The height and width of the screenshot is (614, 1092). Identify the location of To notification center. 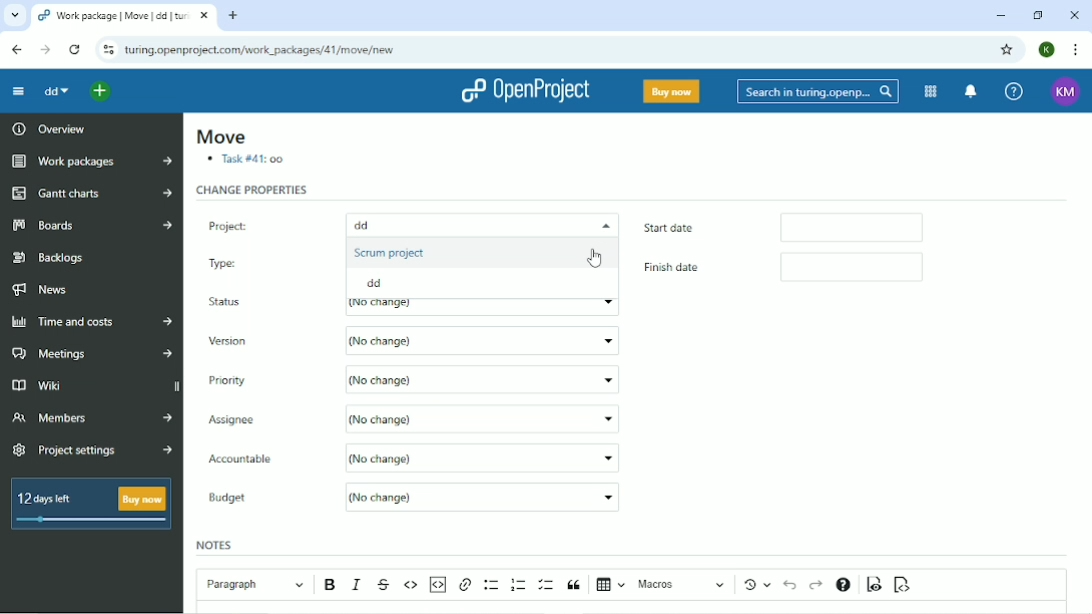
(968, 91).